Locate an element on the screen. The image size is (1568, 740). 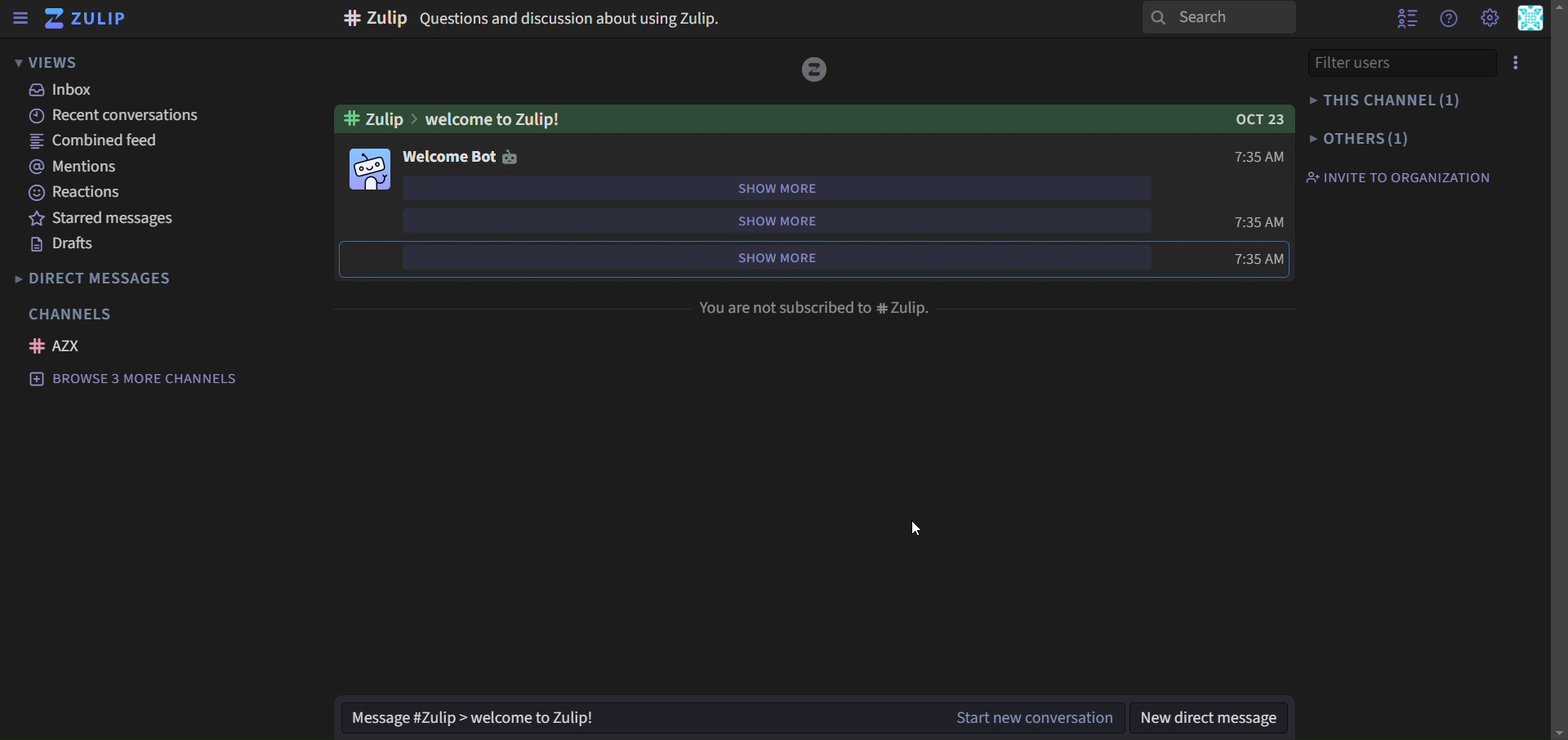
welcome to Zulip is located at coordinates (467, 116).